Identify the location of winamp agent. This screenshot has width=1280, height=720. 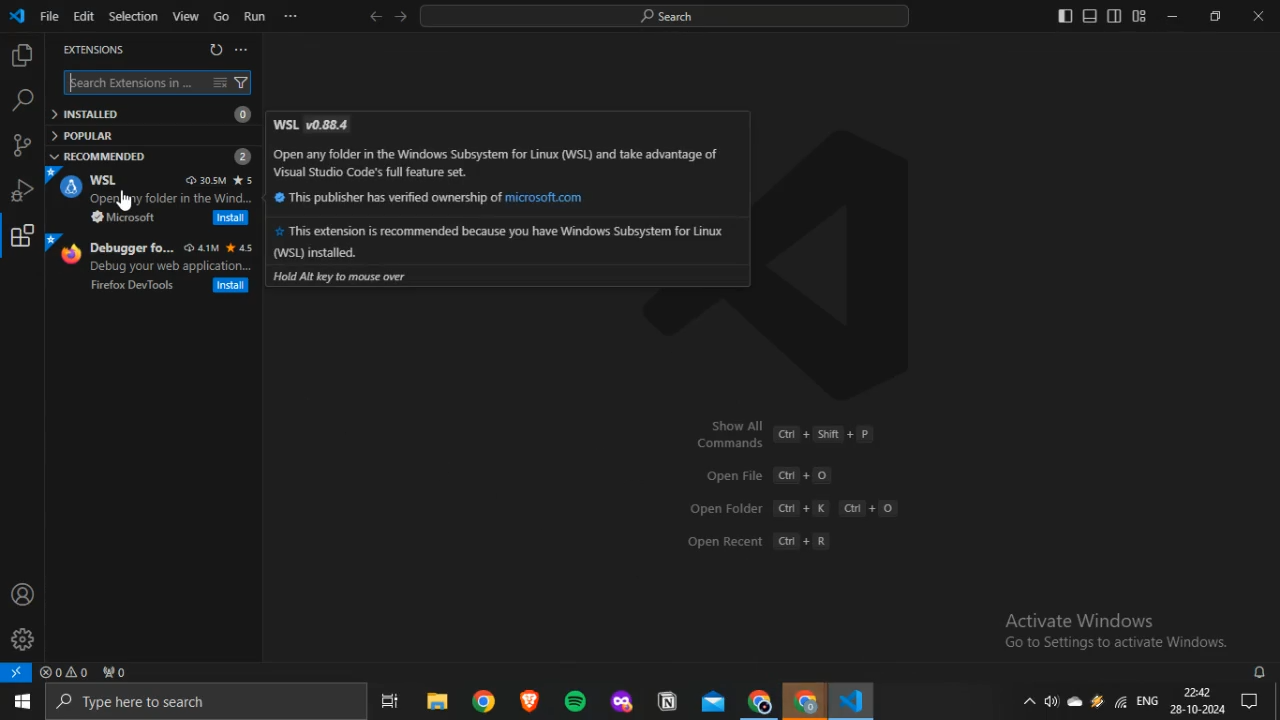
(1097, 701).